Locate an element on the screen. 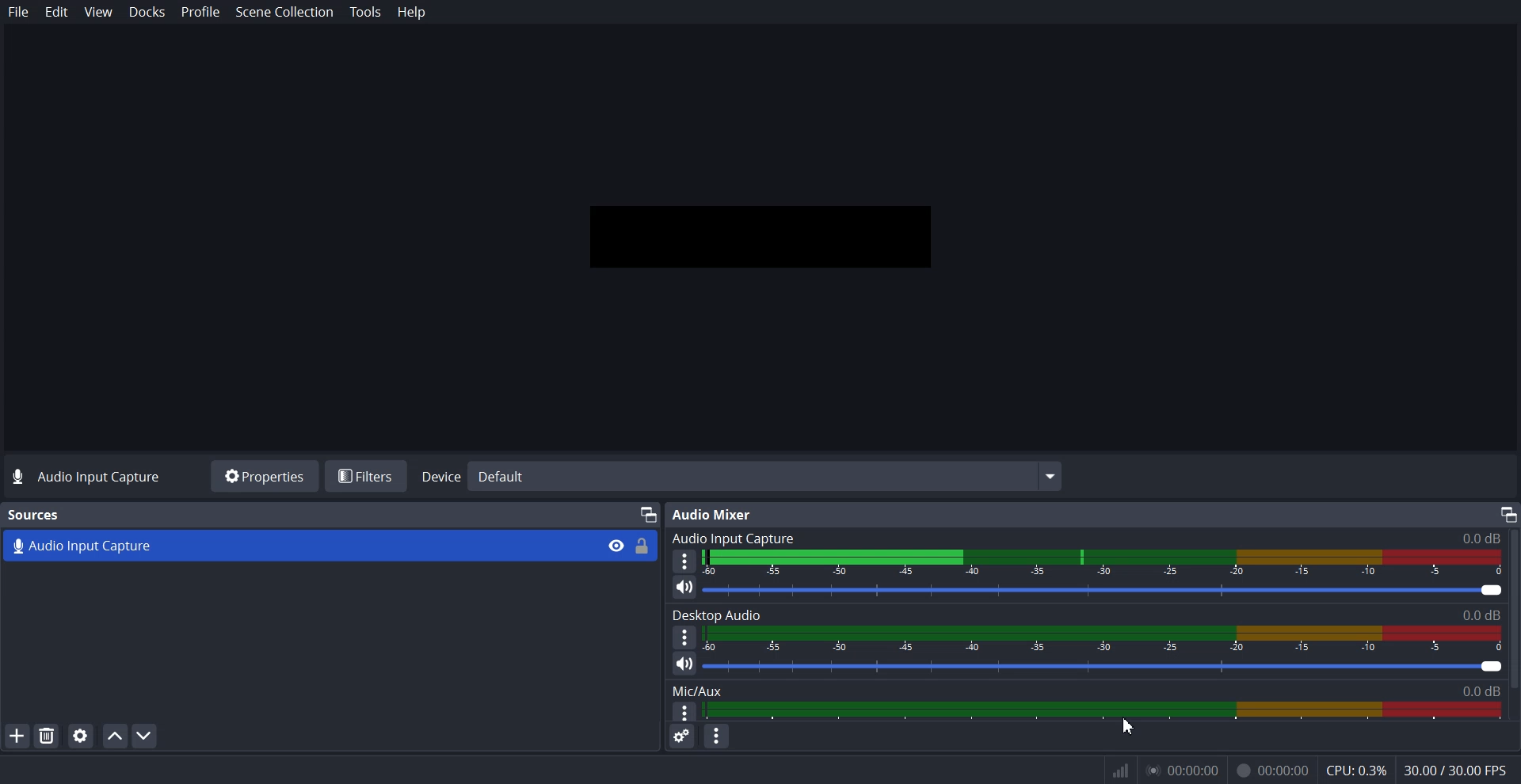 The height and width of the screenshot is (784, 1521). More is located at coordinates (682, 711).